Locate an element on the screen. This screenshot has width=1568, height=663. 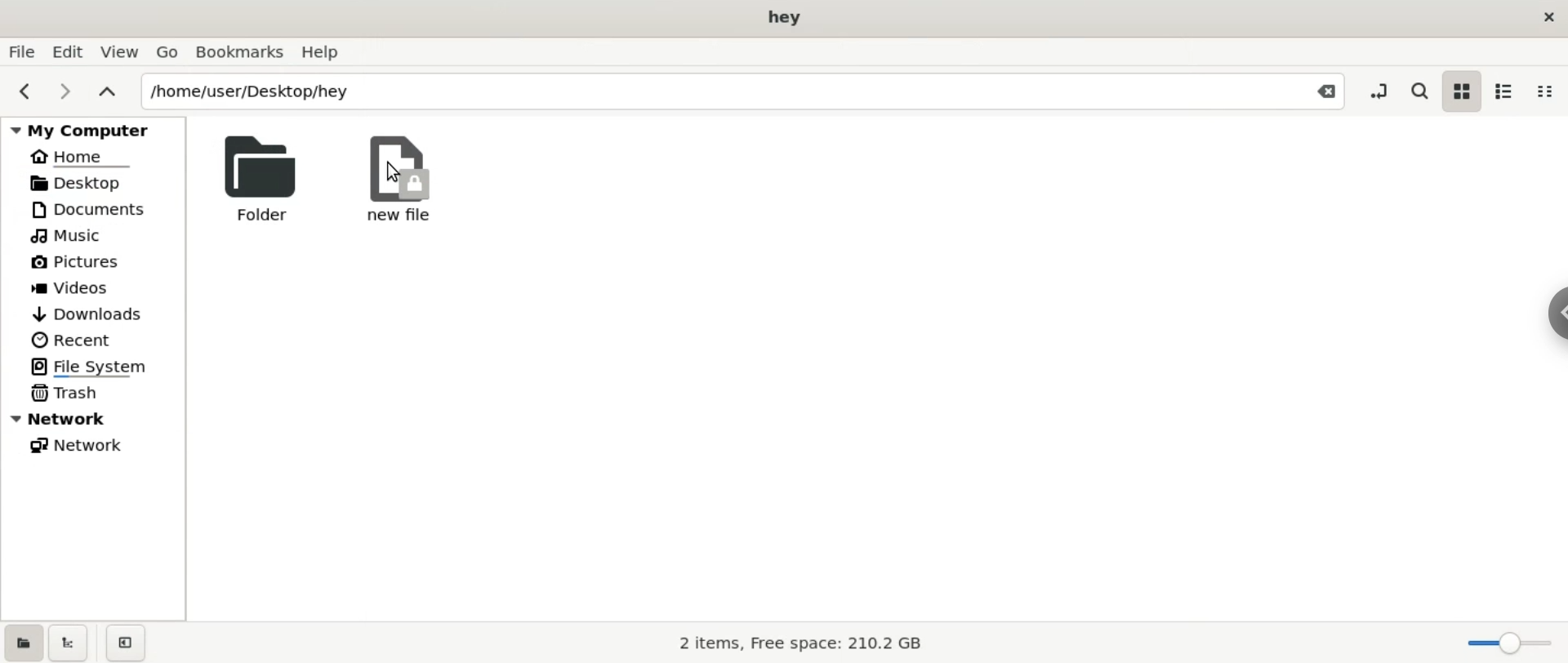
Close is located at coordinates (1325, 93).